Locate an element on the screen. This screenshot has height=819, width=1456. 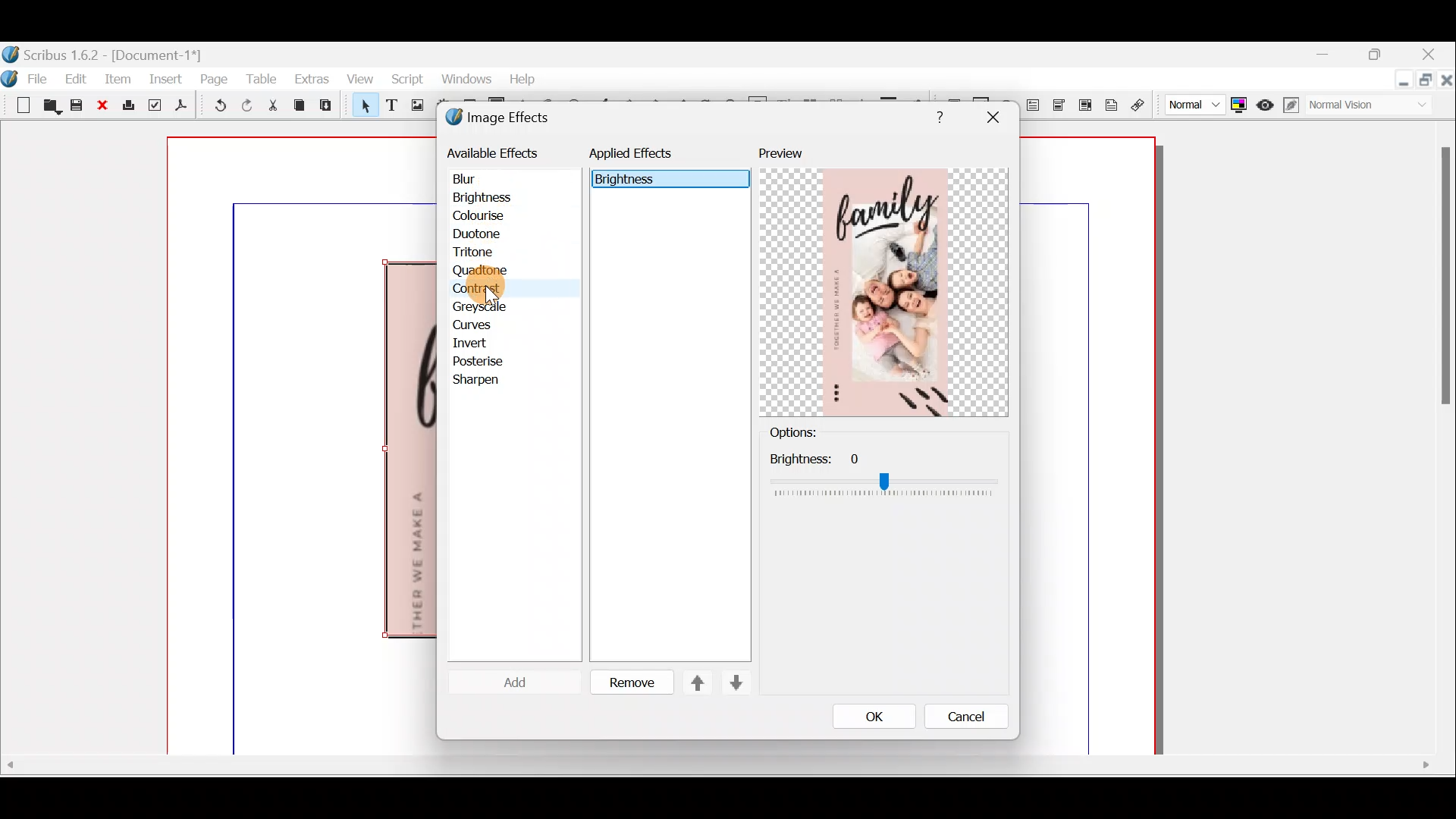
Item is located at coordinates (118, 78).